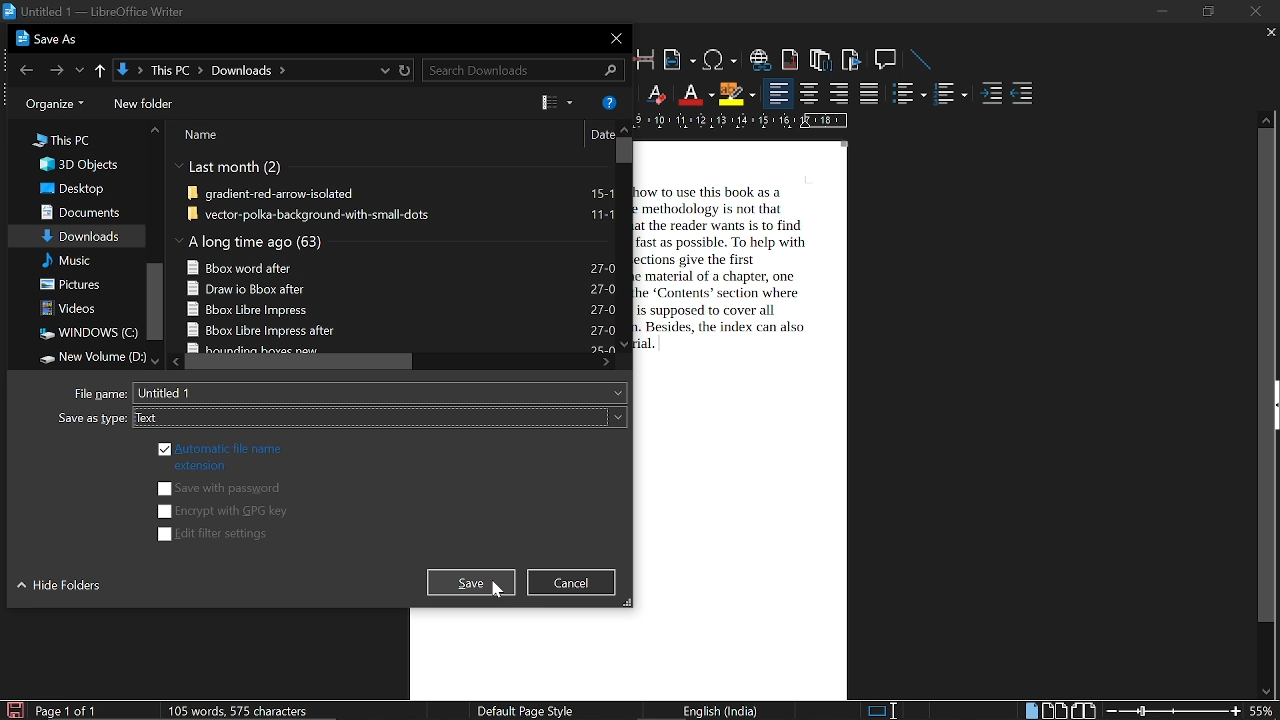 This screenshot has width=1280, height=720. I want to click on current window, so click(50, 39).